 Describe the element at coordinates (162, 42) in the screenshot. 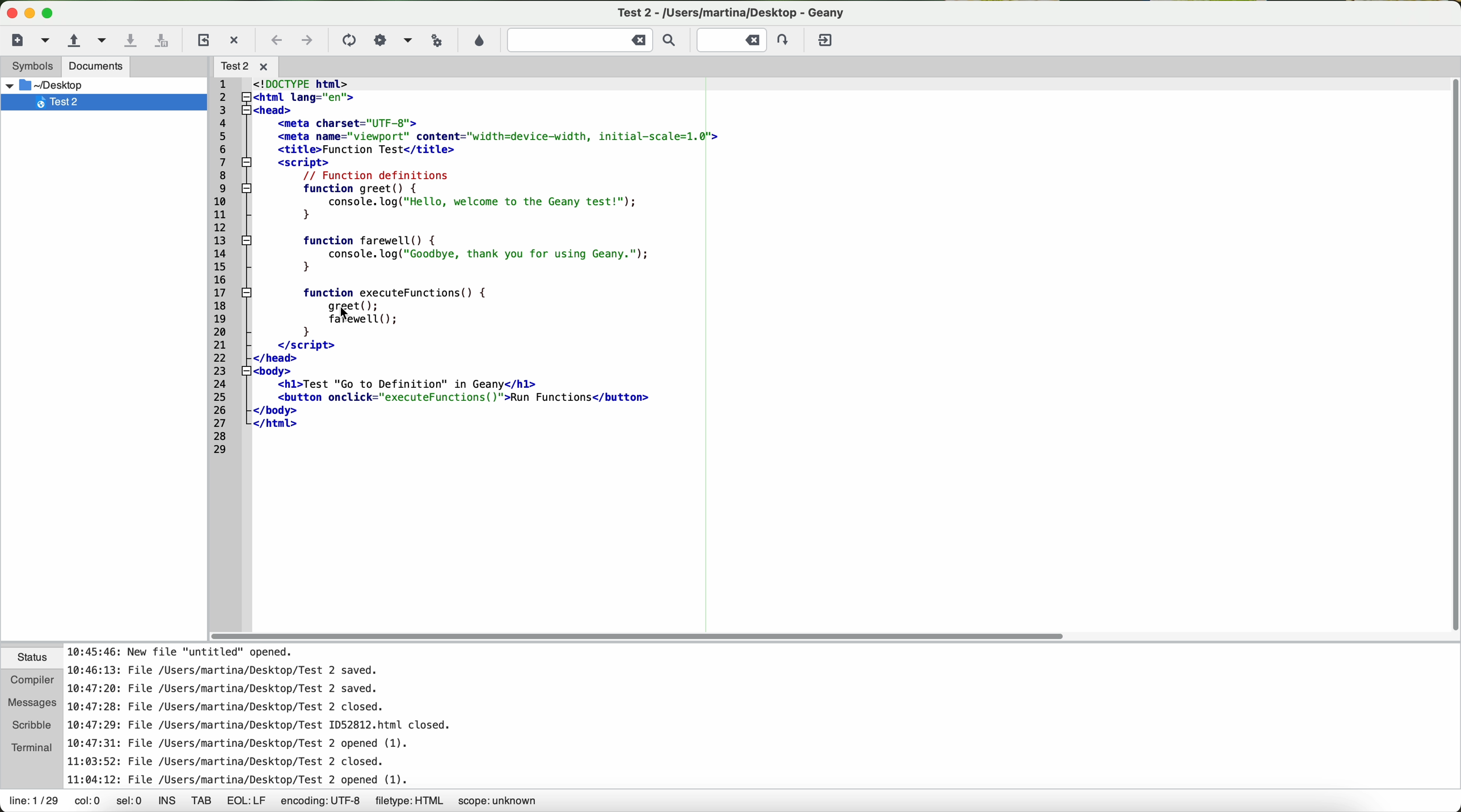

I see `save all open files` at that location.